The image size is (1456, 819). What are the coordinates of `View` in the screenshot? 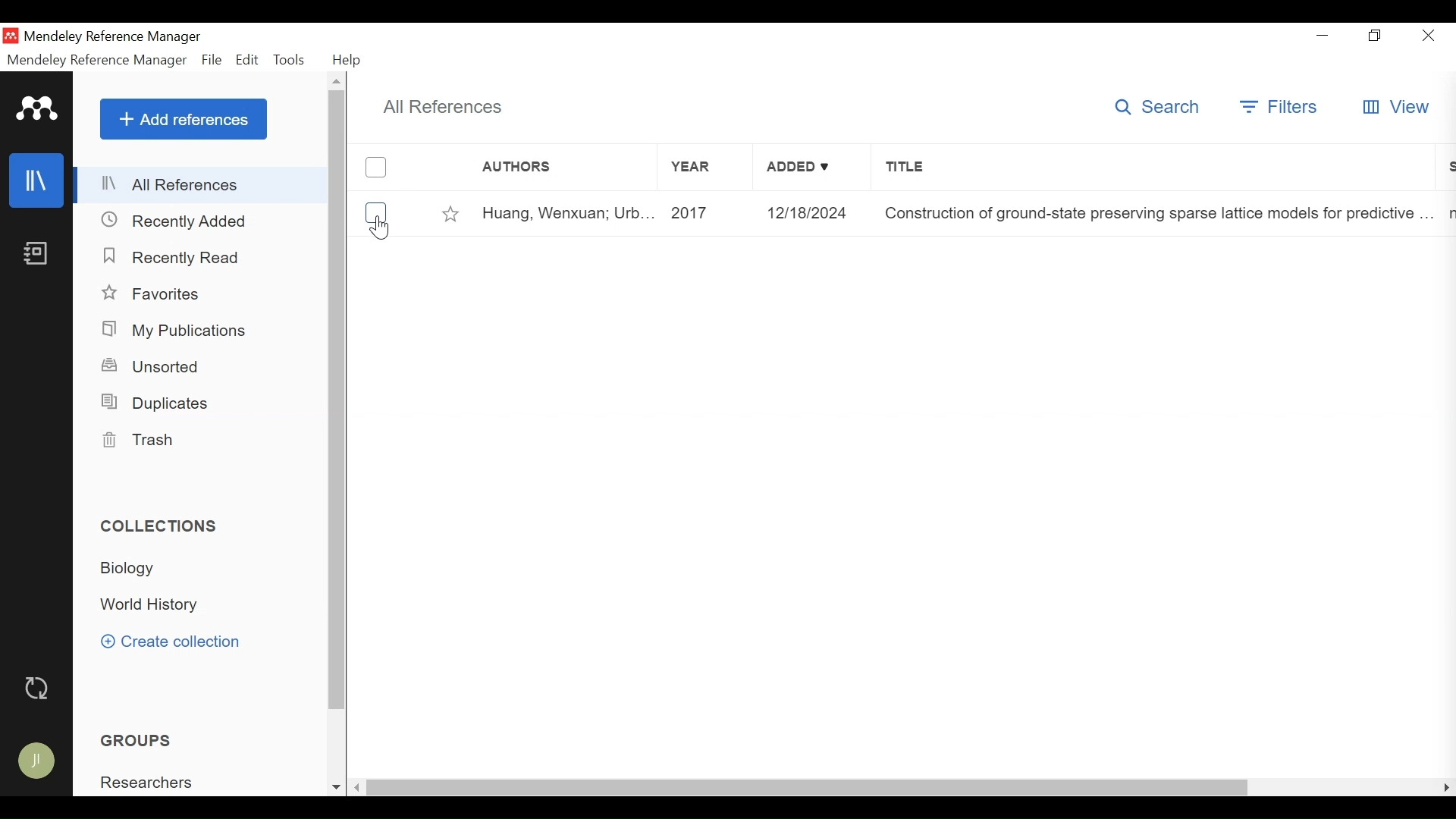 It's located at (1395, 108).